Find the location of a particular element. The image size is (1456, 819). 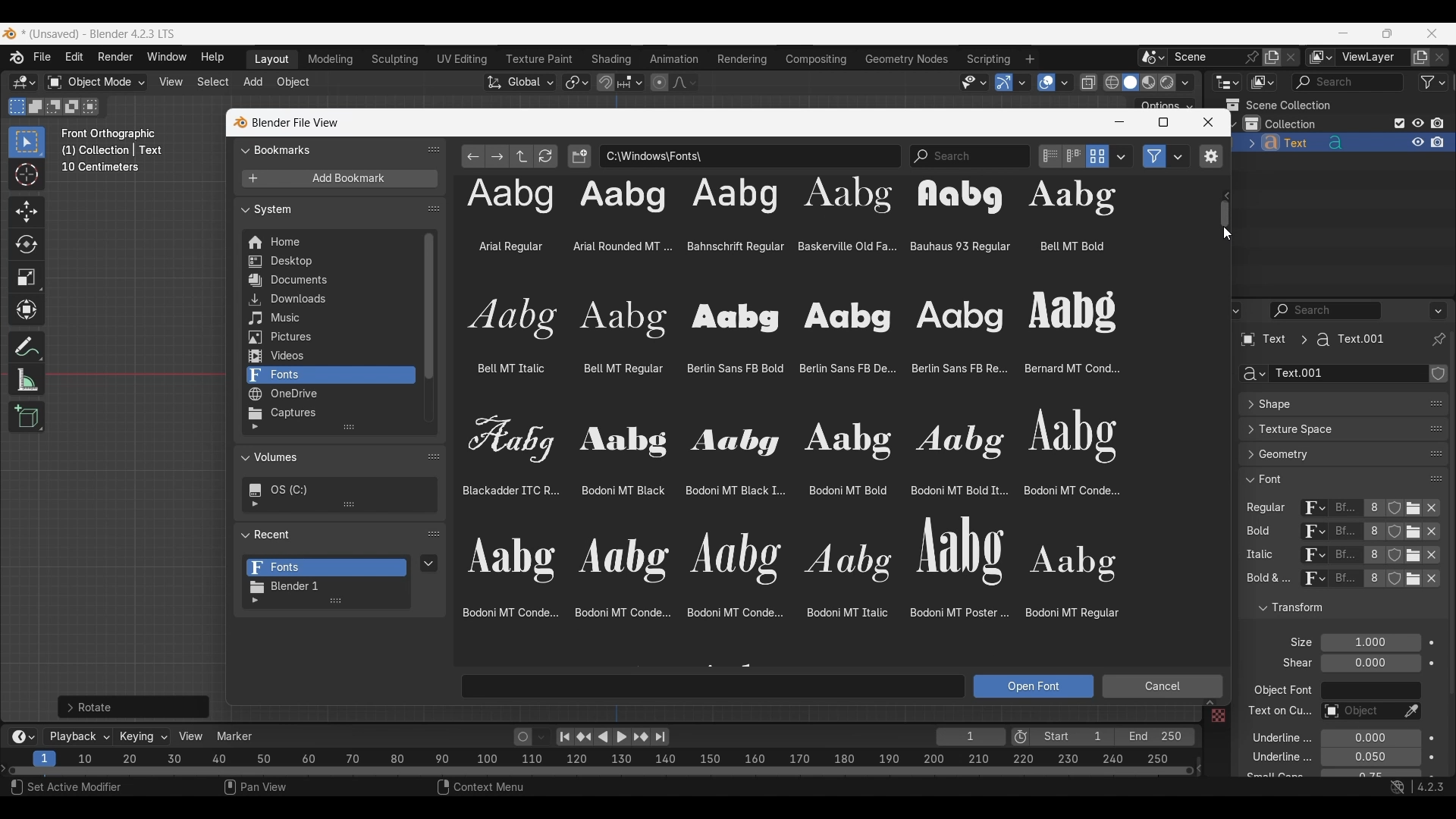

Hide in viewport is located at coordinates (1417, 123).